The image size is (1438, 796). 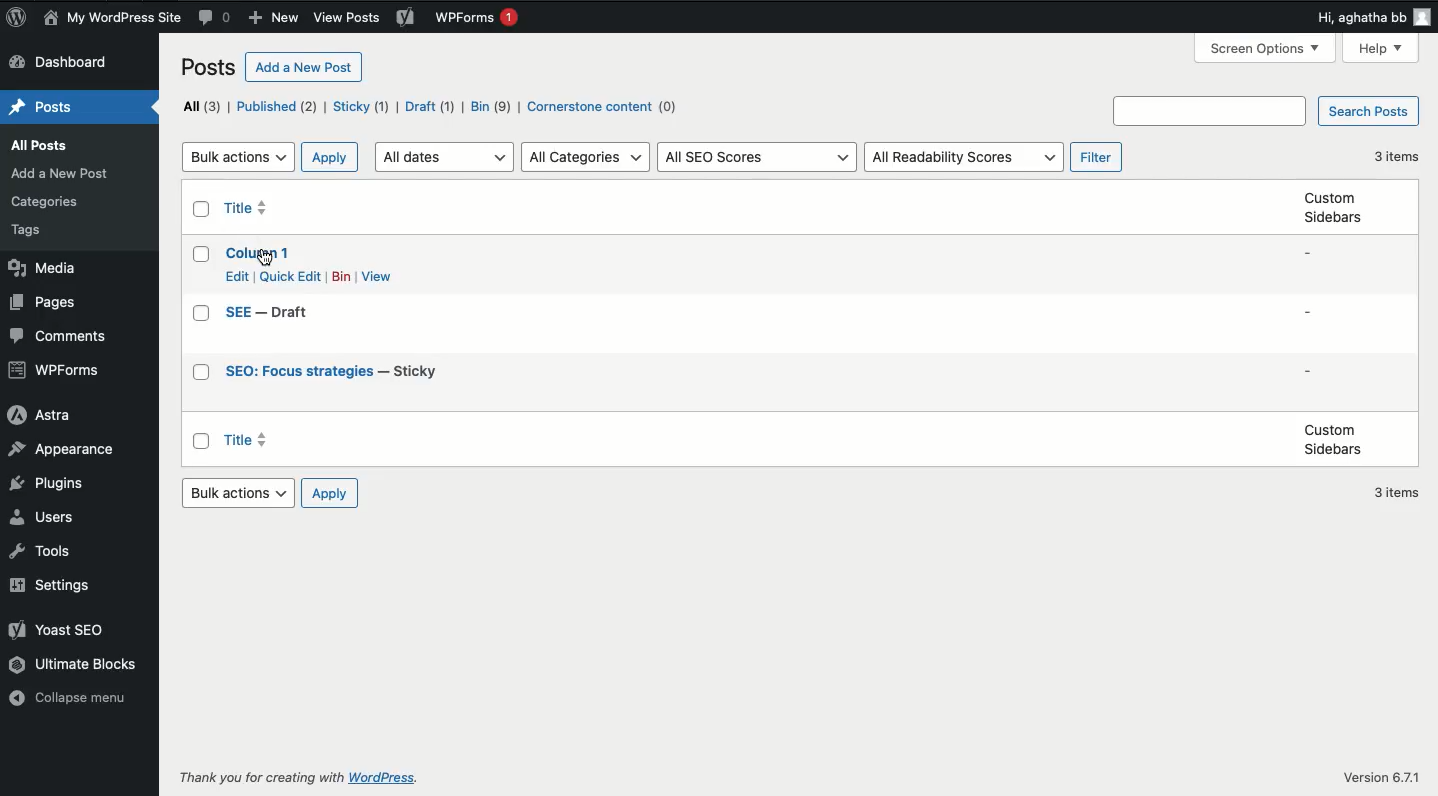 What do you see at coordinates (27, 230) in the screenshot?
I see `Tags` at bounding box center [27, 230].